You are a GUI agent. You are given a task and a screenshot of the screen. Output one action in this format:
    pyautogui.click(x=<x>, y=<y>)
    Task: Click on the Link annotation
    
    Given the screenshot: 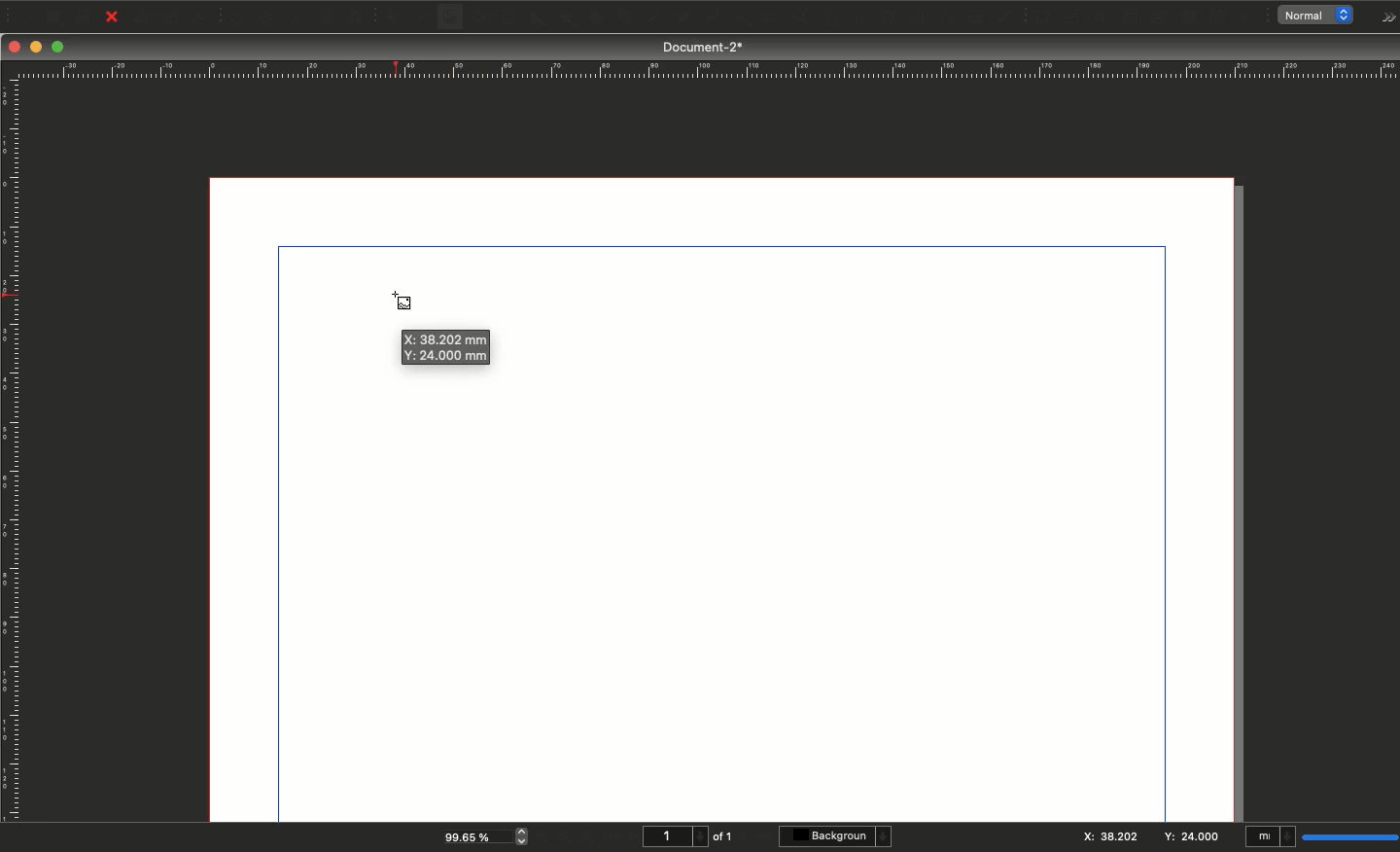 What is the action you would take?
    pyautogui.click(x=1250, y=18)
    